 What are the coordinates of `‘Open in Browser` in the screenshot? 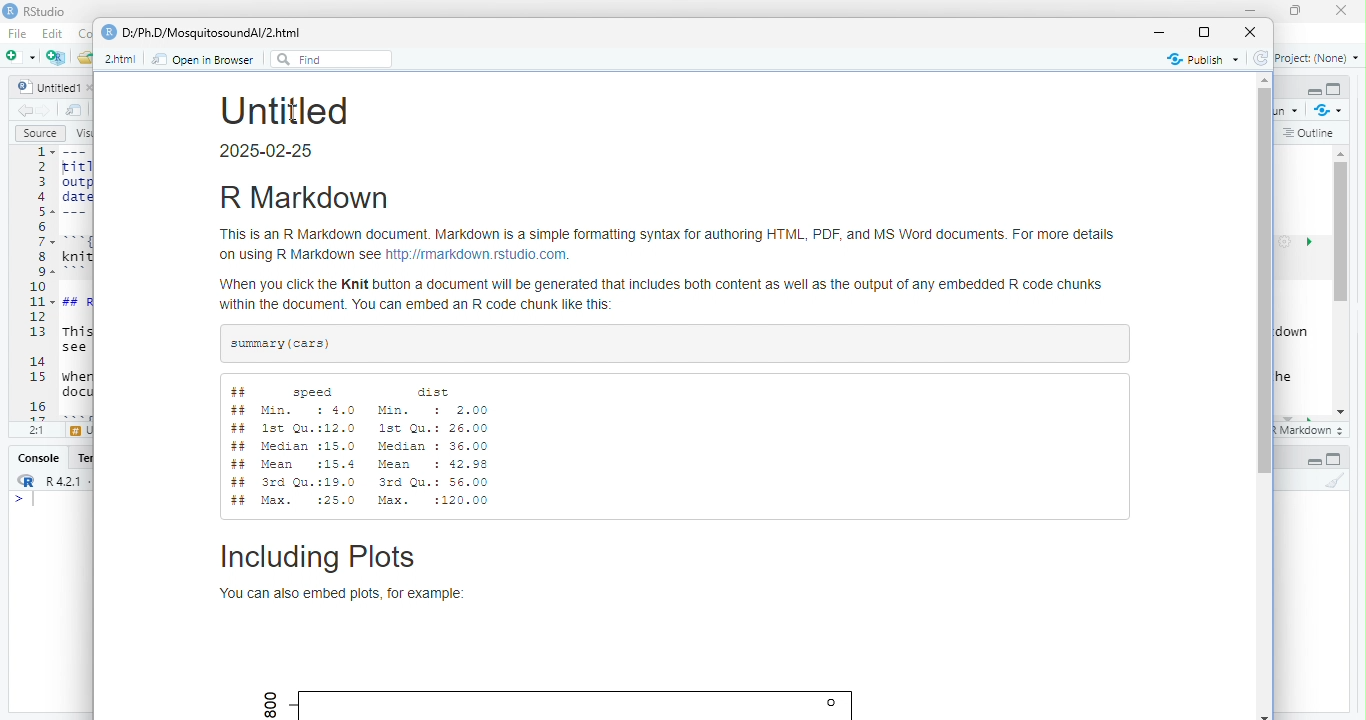 It's located at (201, 59).